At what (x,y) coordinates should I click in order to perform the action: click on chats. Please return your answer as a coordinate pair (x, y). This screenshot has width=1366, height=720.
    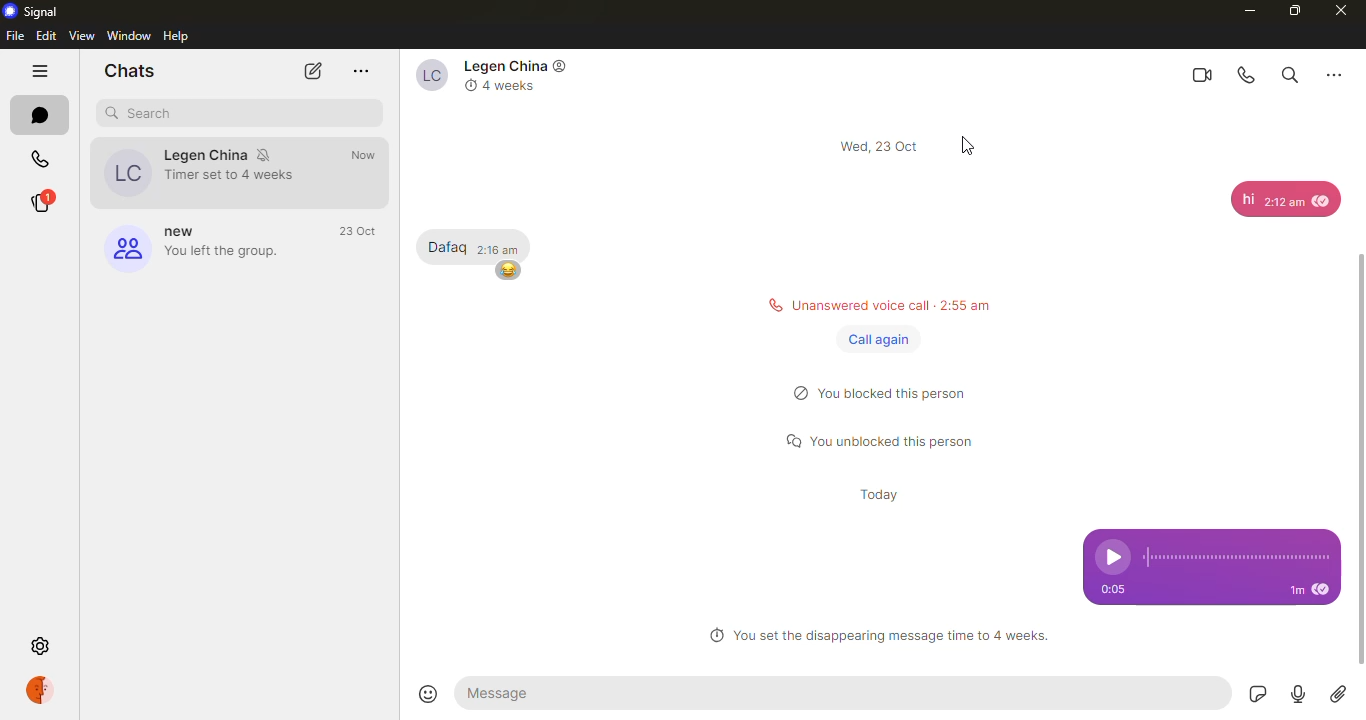
    Looking at the image, I should click on (134, 70).